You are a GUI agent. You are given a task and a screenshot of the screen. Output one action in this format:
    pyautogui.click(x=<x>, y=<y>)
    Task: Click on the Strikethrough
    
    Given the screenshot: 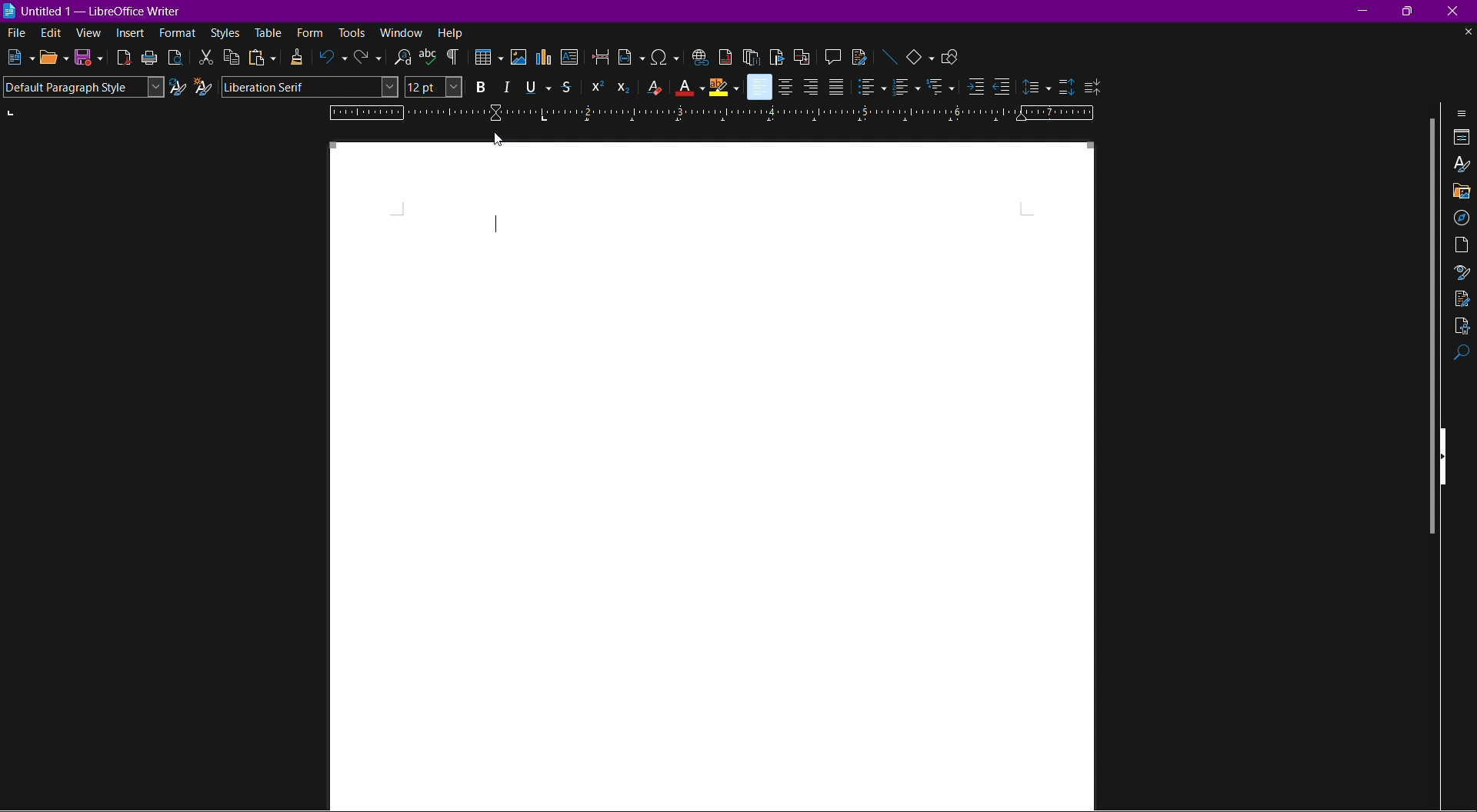 What is the action you would take?
    pyautogui.click(x=569, y=87)
    